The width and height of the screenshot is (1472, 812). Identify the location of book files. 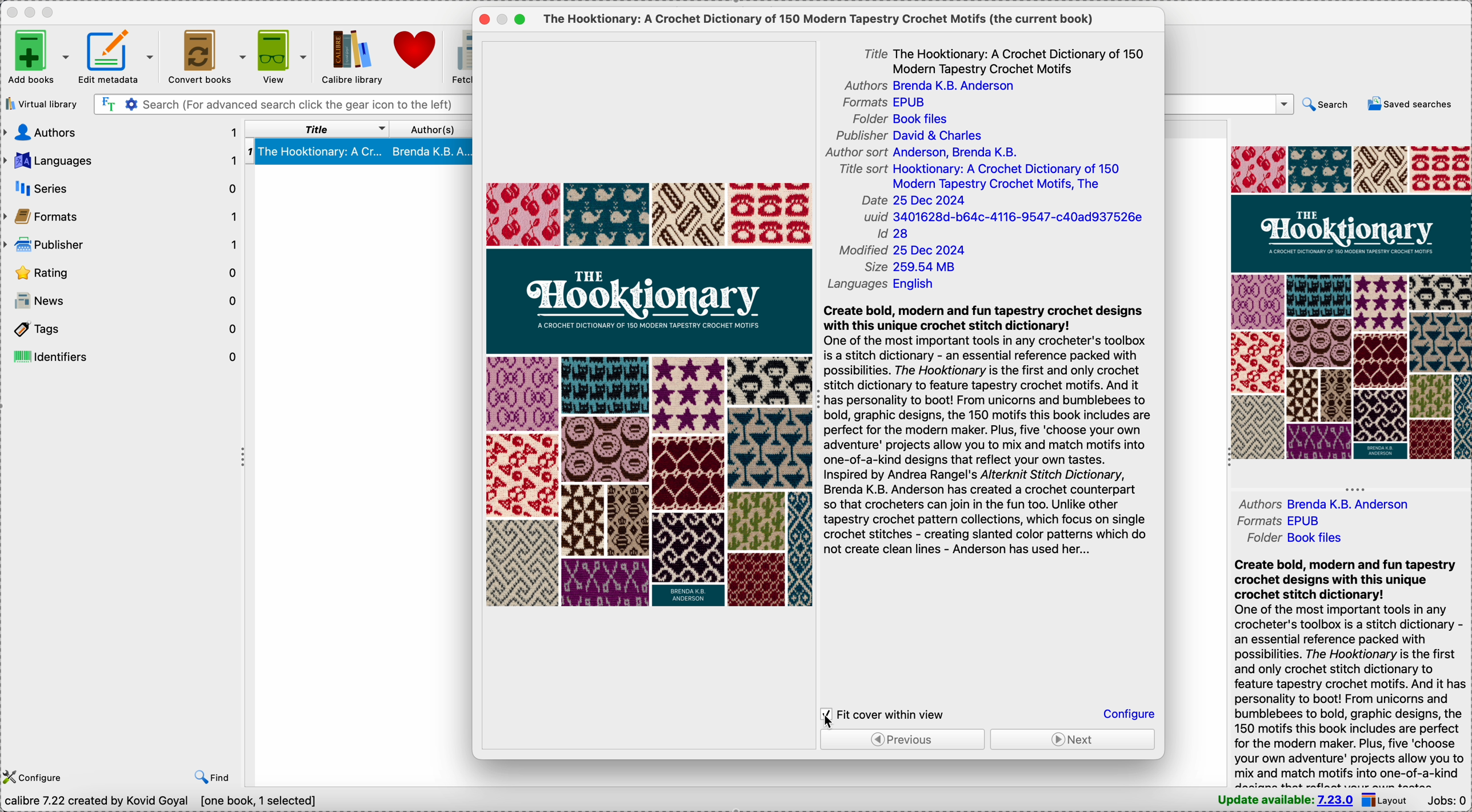
(902, 118).